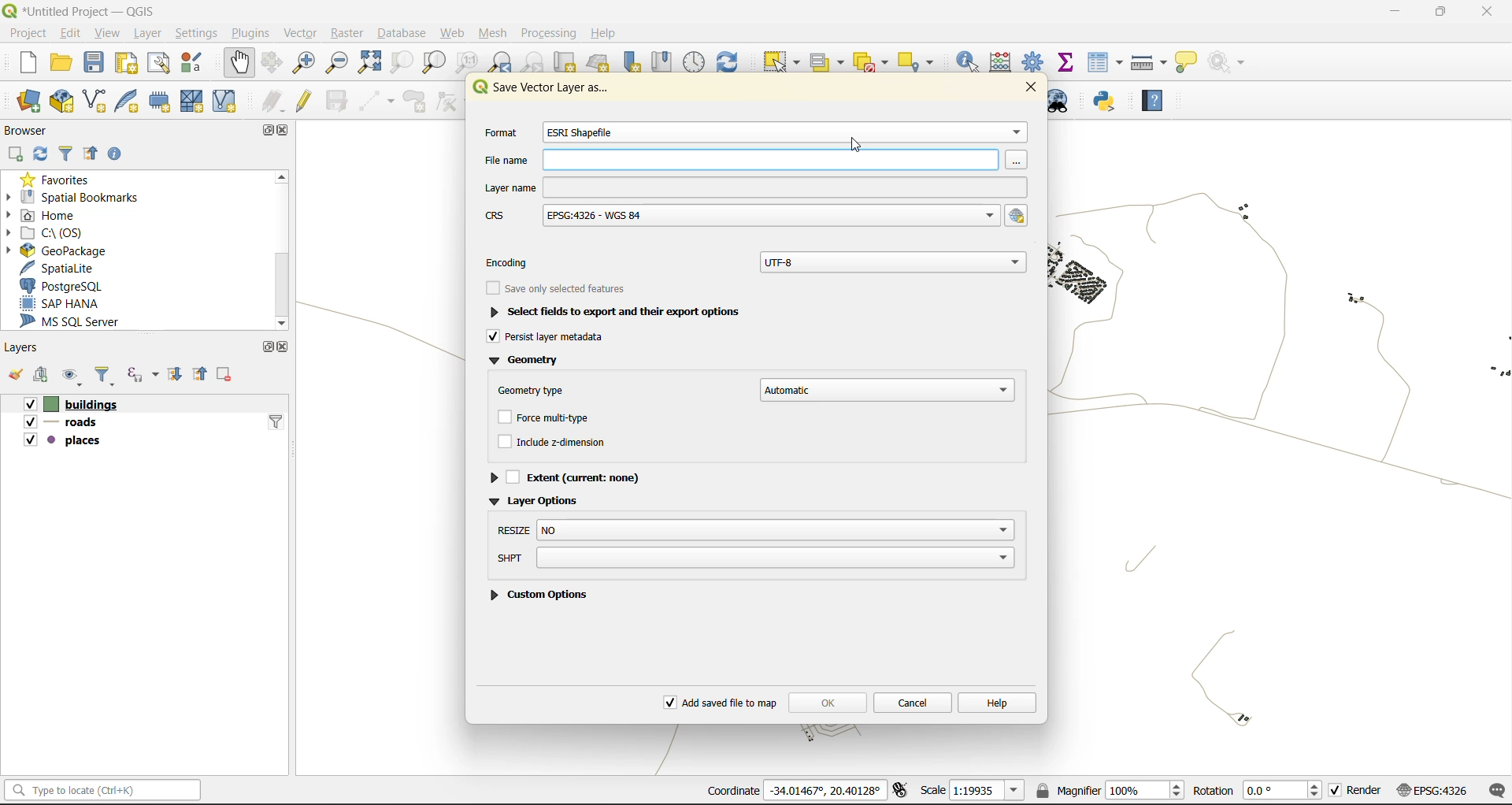  I want to click on cut, so click(566, 61).